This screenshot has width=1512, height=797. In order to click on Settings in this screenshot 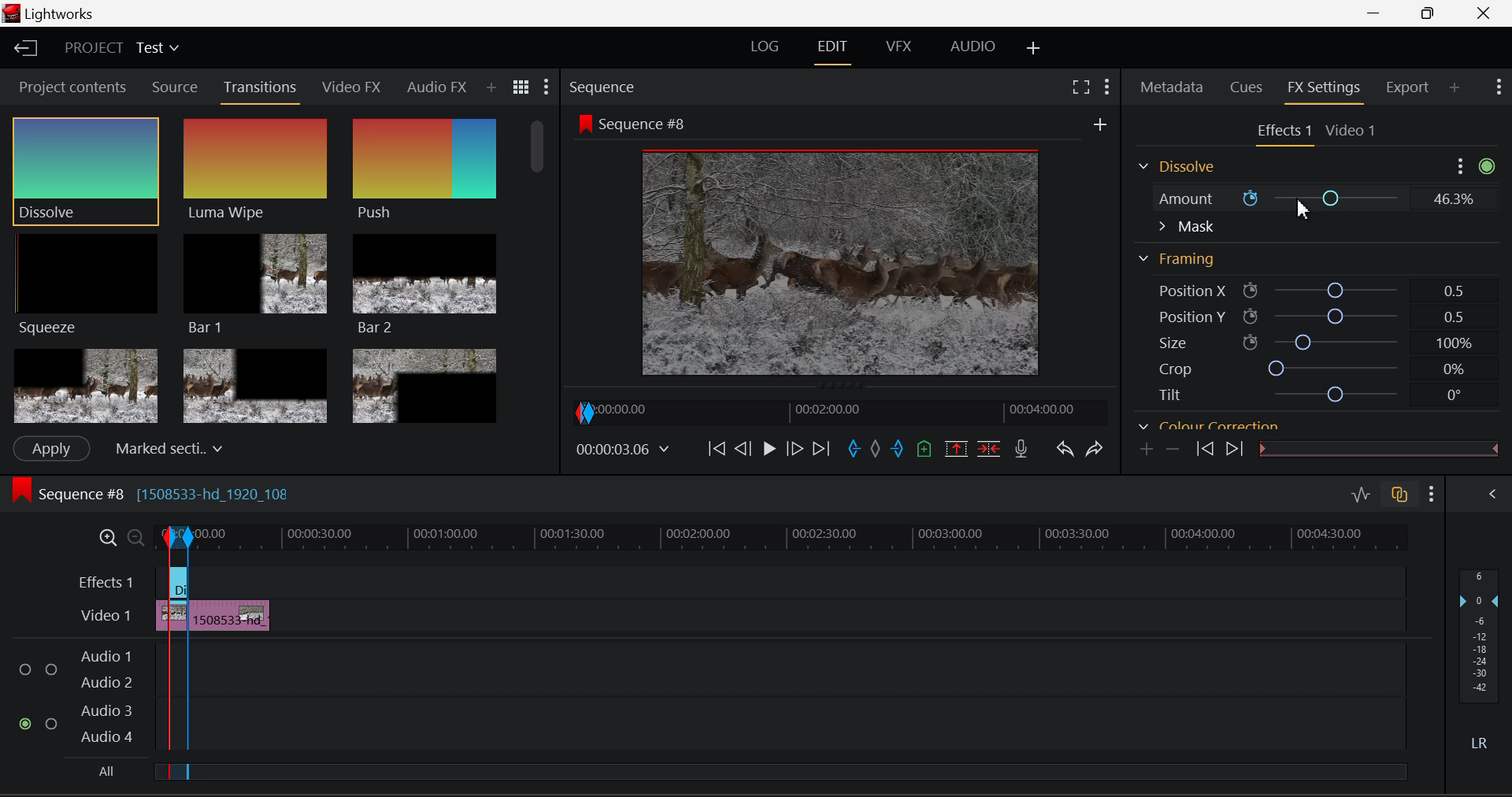, I will do `click(1462, 165)`.